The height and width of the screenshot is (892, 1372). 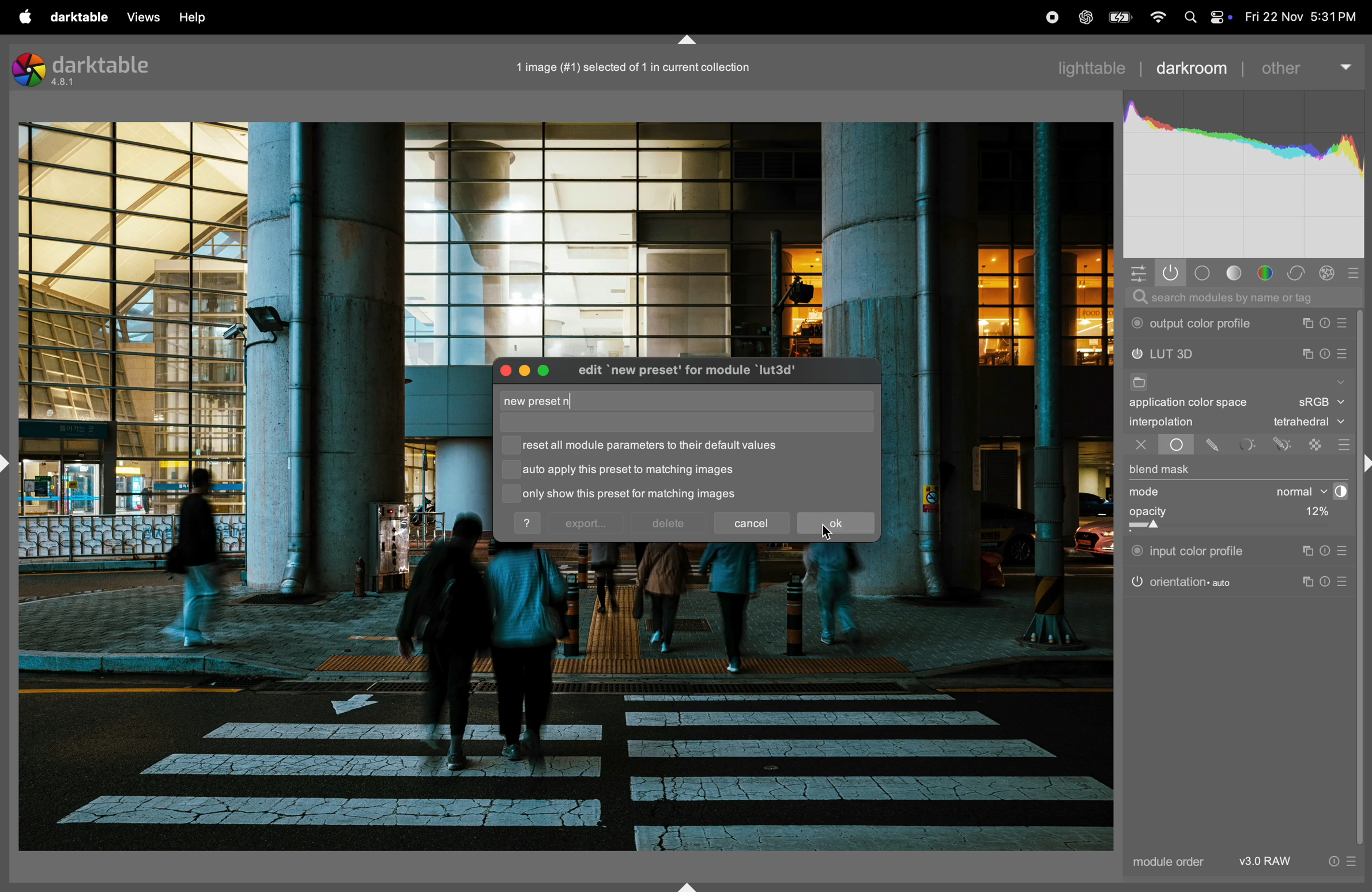 I want to click on reset parameters, so click(x=1329, y=323).